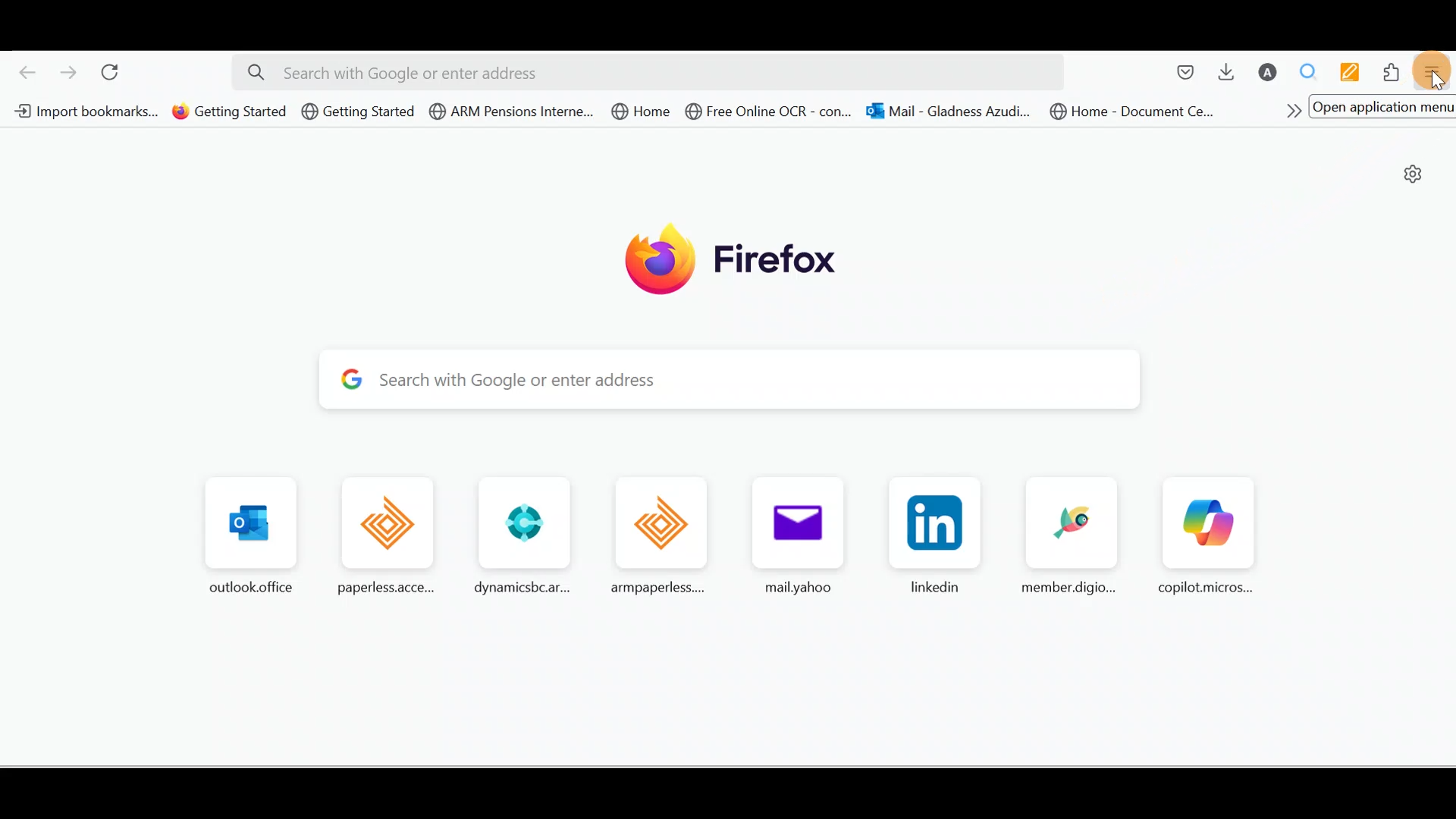 Image resolution: width=1456 pixels, height=819 pixels. What do you see at coordinates (738, 383) in the screenshot?
I see `Search bar` at bounding box center [738, 383].